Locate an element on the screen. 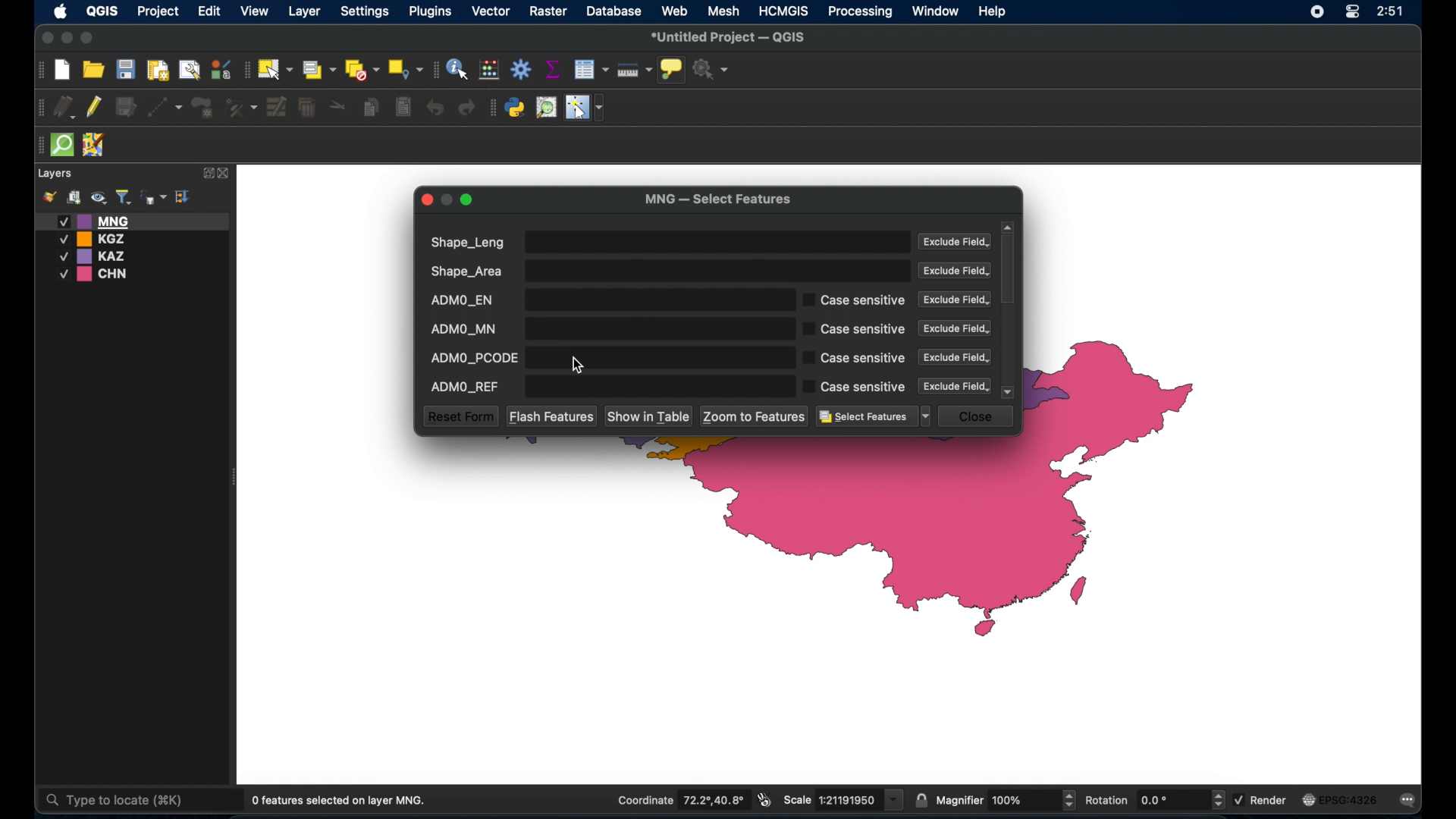 This screenshot has height=819, width=1456. no action selected  is located at coordinates (712, 69).